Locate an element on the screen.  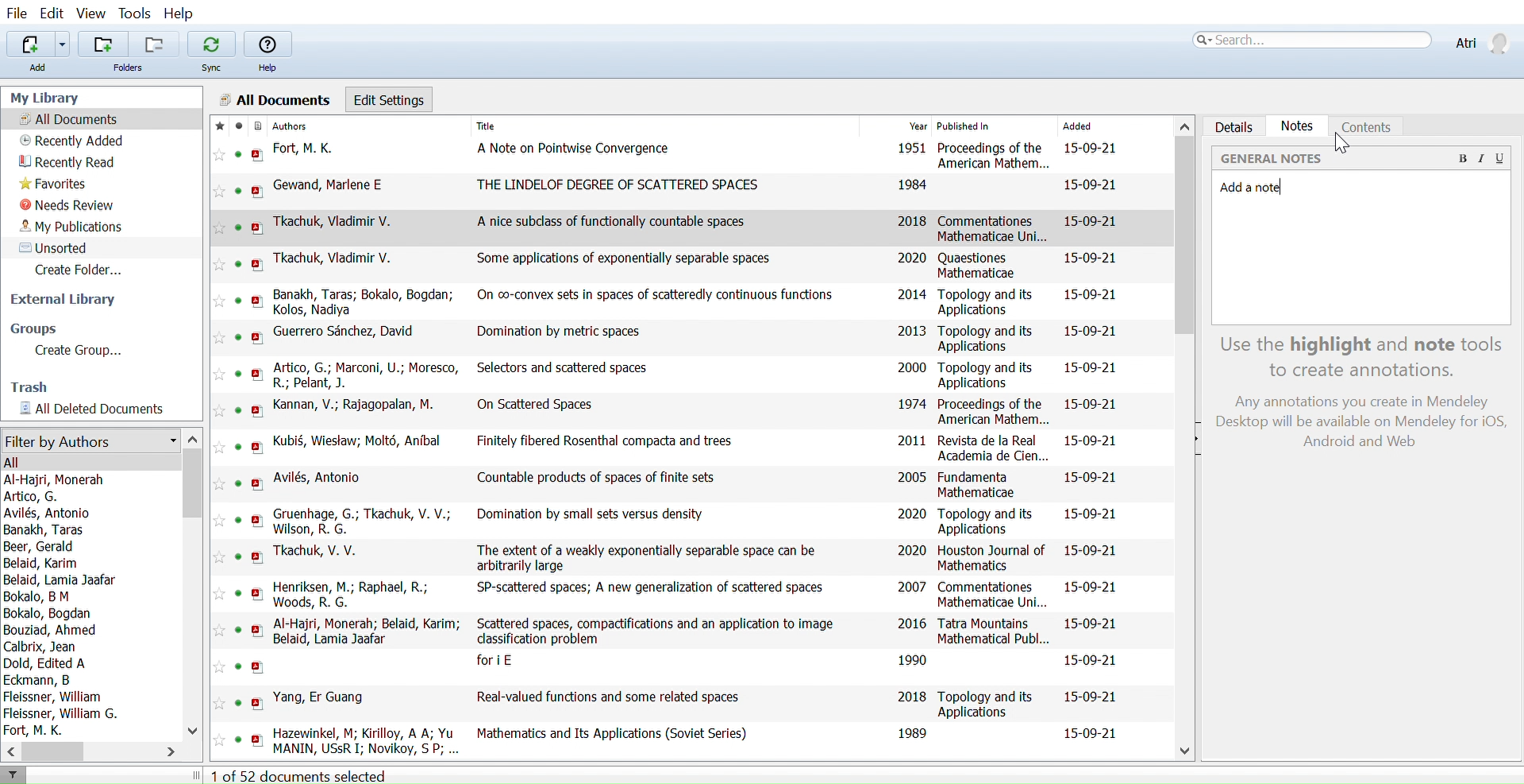
Topology and its Applications is located at coordinates (985, 339).